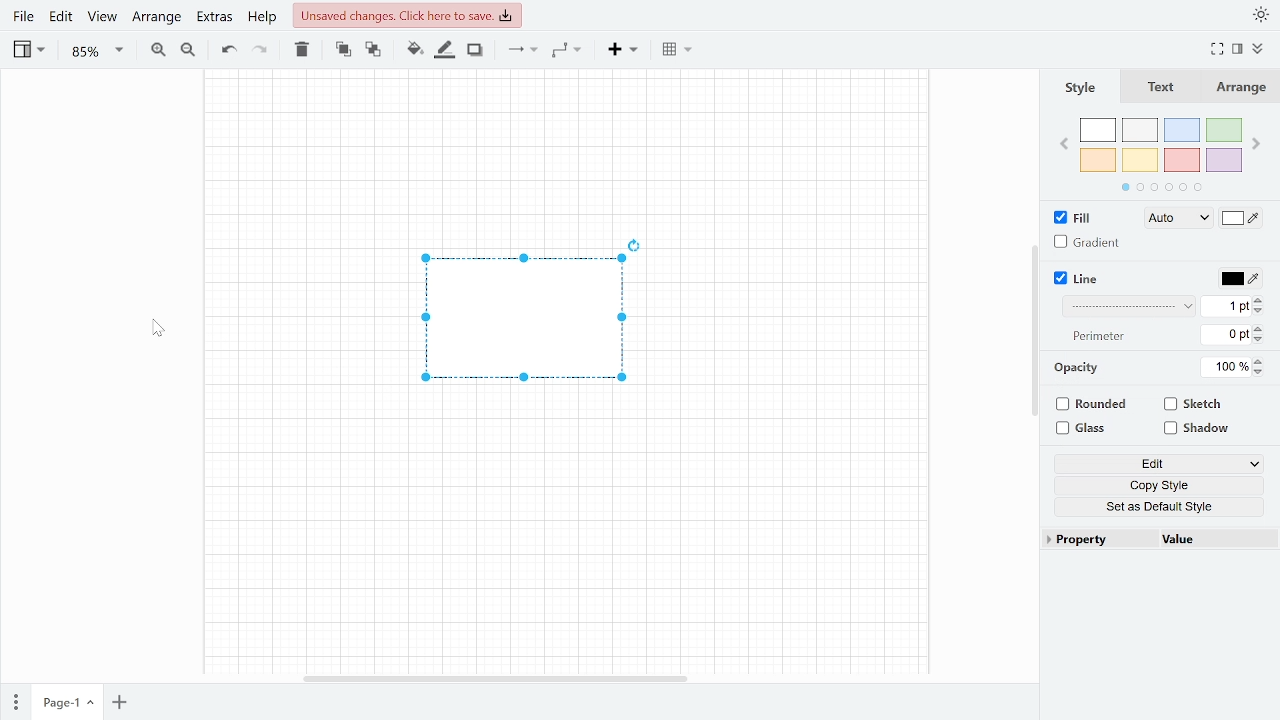 The width and height of the screenshot is (1280, 720). Describe the element at coordinates (28, 51) in the screenshot. I see `View` at that location.